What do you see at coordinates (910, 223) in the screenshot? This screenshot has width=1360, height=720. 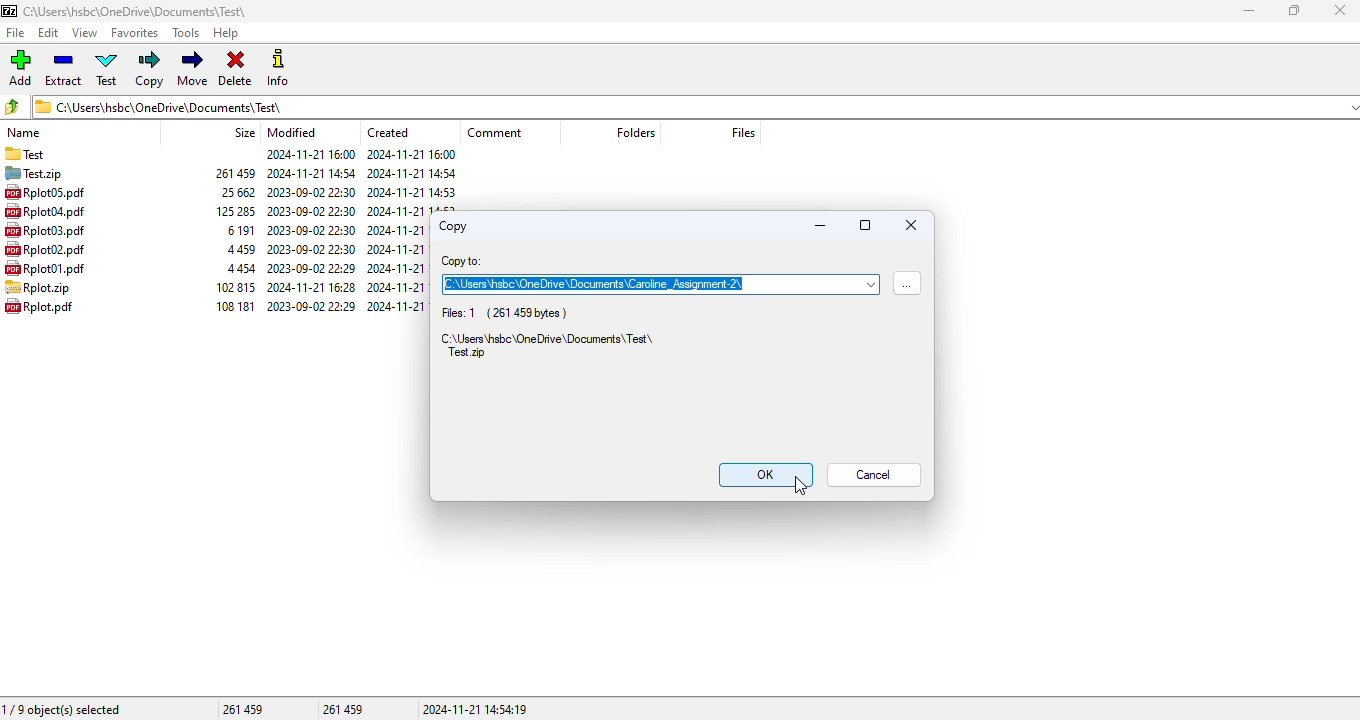 I see `stop` at bounding box center [910, 223].